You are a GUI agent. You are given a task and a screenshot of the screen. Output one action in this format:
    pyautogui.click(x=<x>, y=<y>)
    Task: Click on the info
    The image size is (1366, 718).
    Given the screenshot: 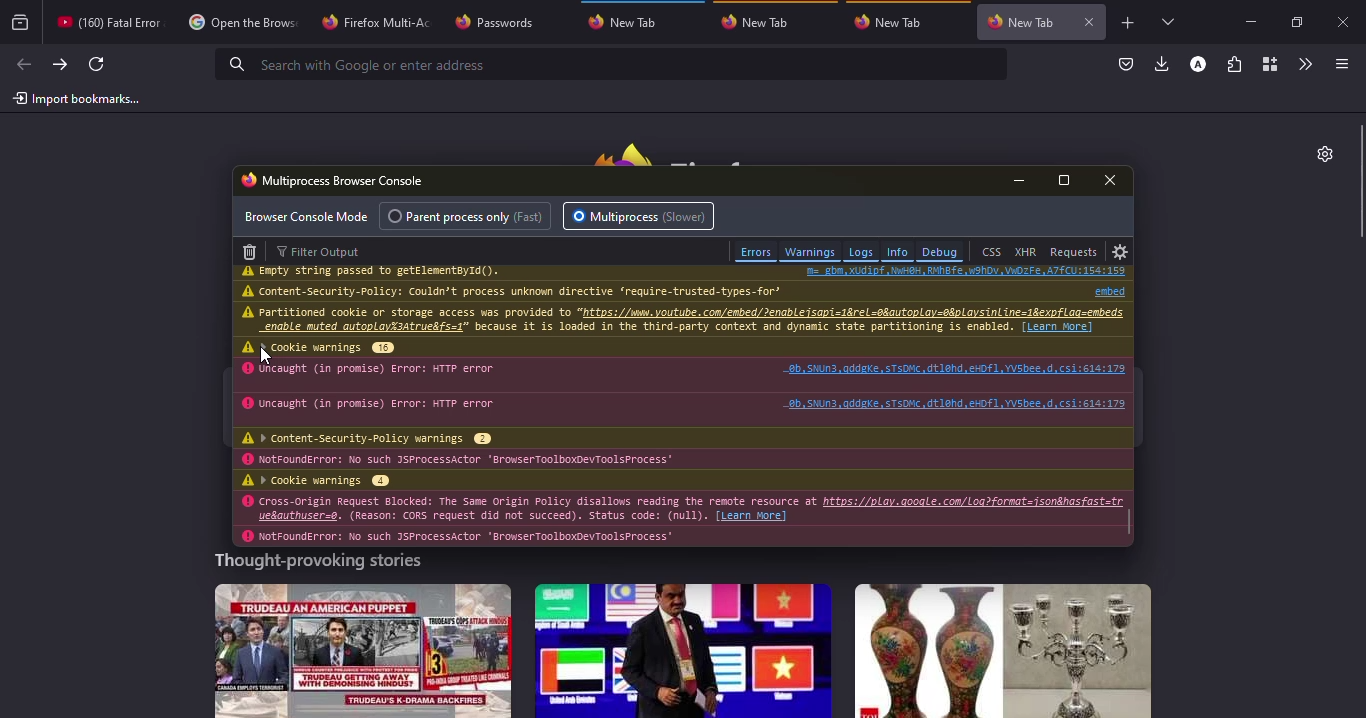 What is the action you would take?
    pyautogui.click(x=383, y=272)
    